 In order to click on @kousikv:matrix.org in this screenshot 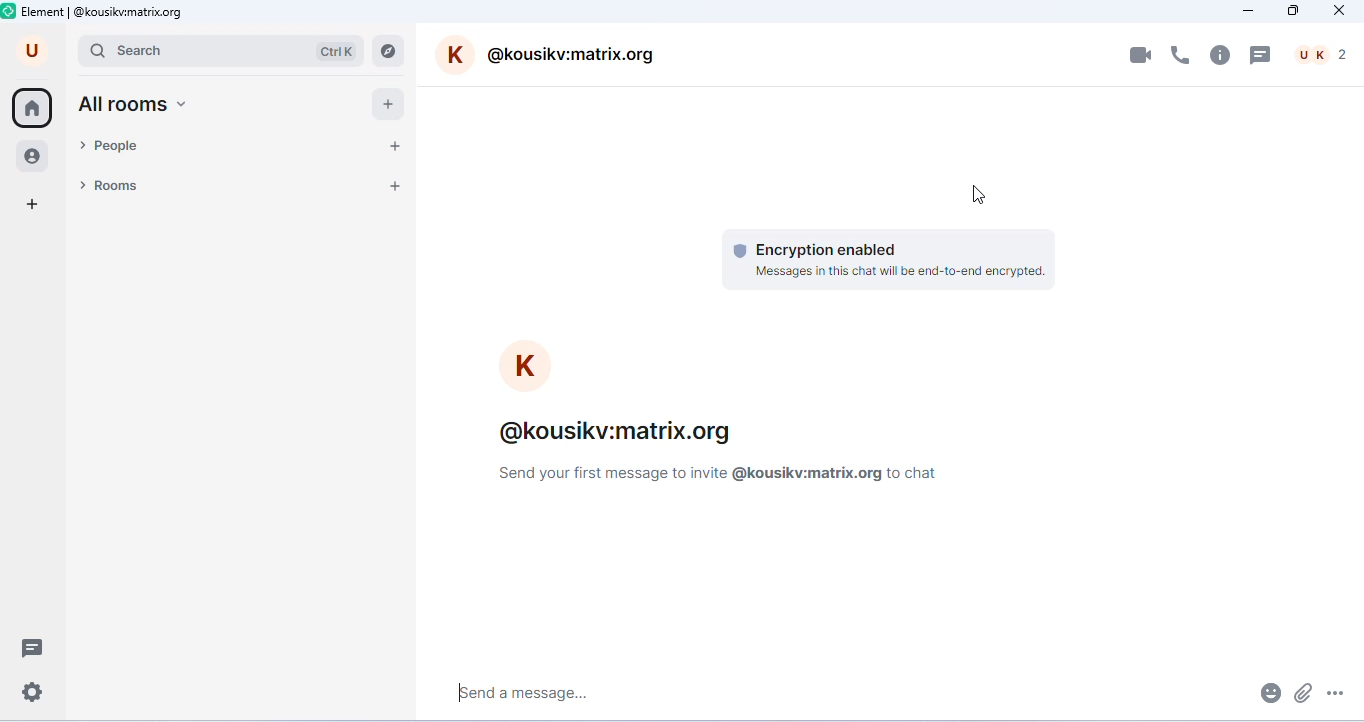, I will do `click(621, 434)`.